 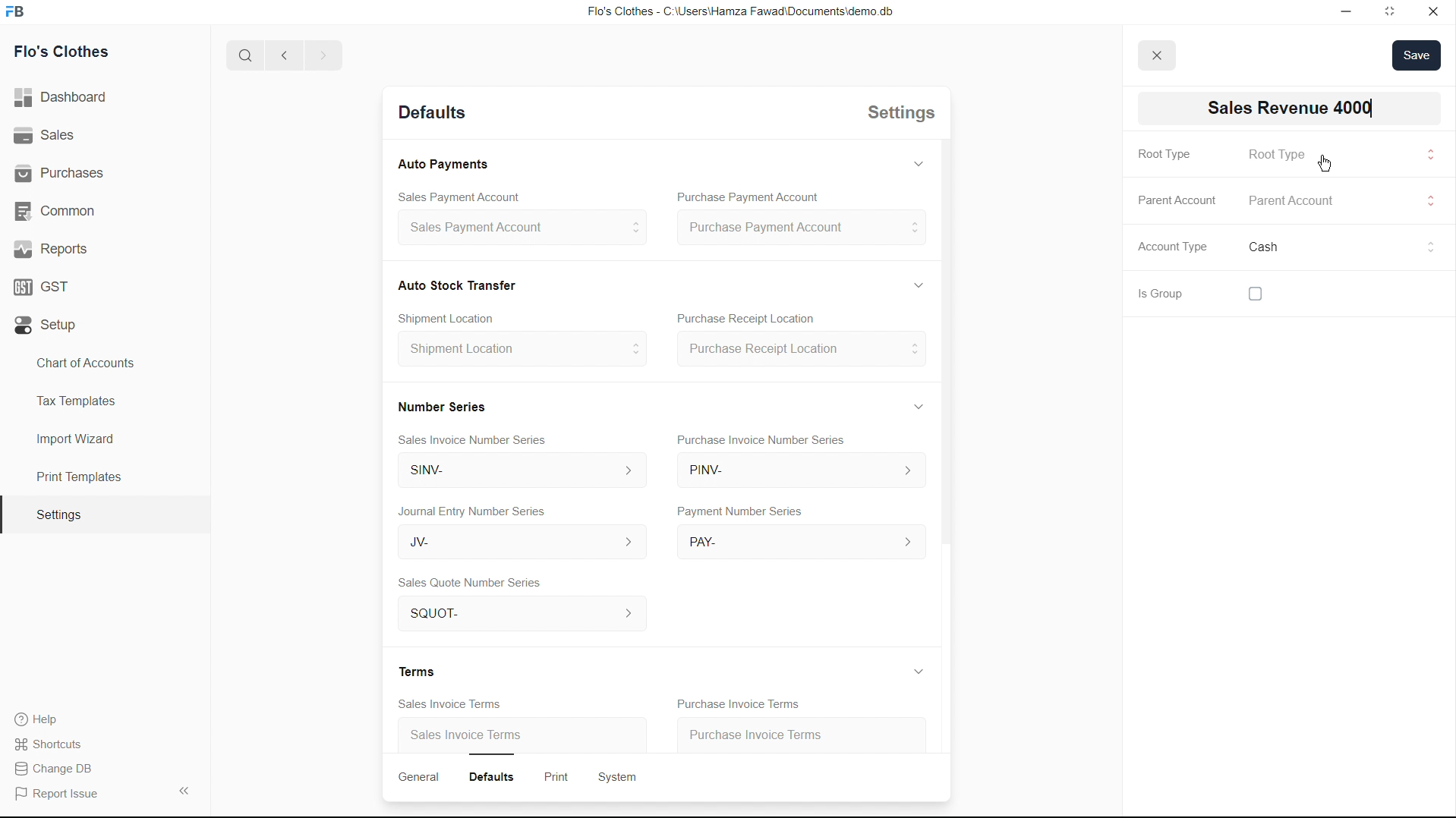 I want to click on Settings, so click(x=58, y=515).